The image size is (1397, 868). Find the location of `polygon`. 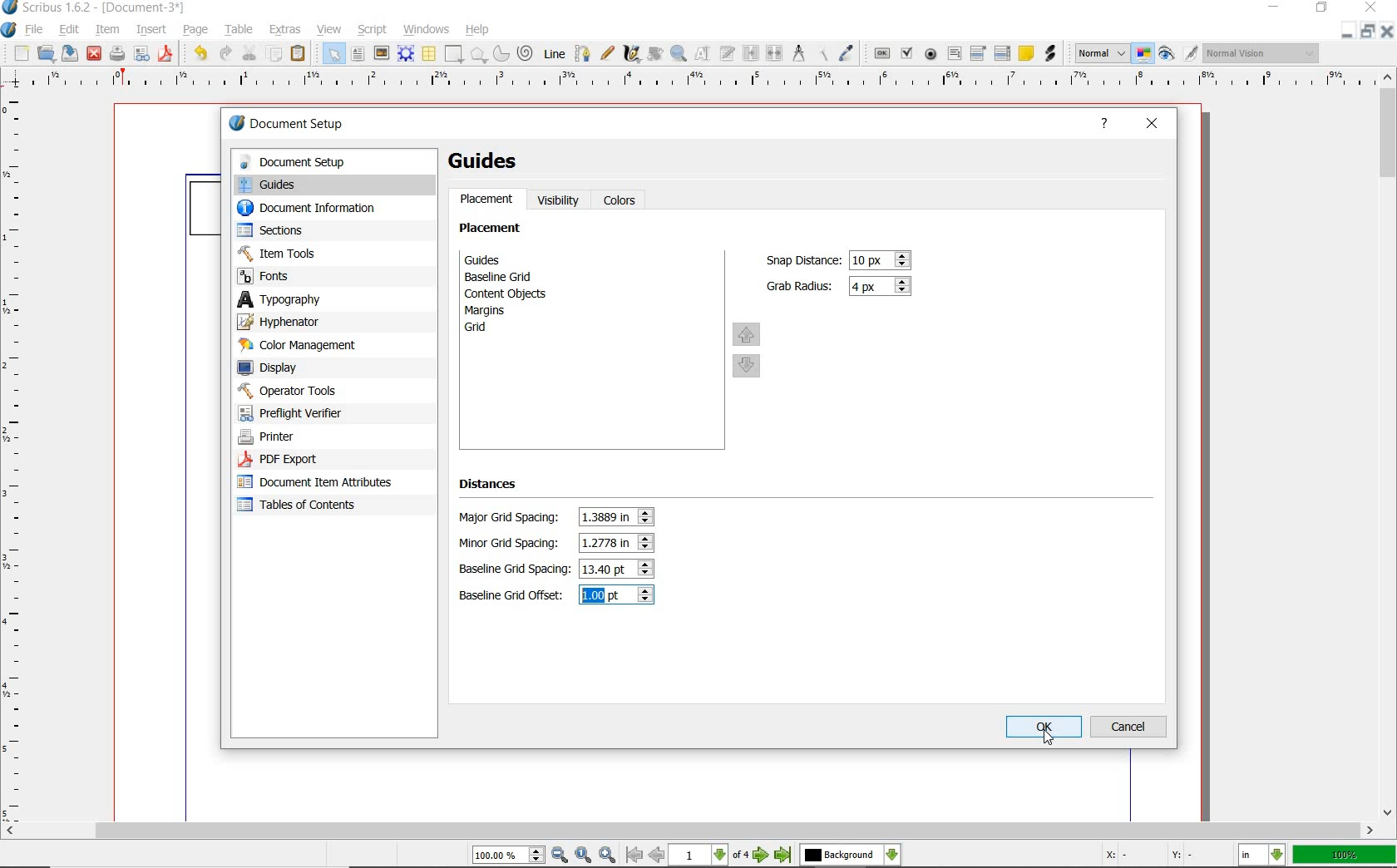

polygon is located at coordinates (477, 55).